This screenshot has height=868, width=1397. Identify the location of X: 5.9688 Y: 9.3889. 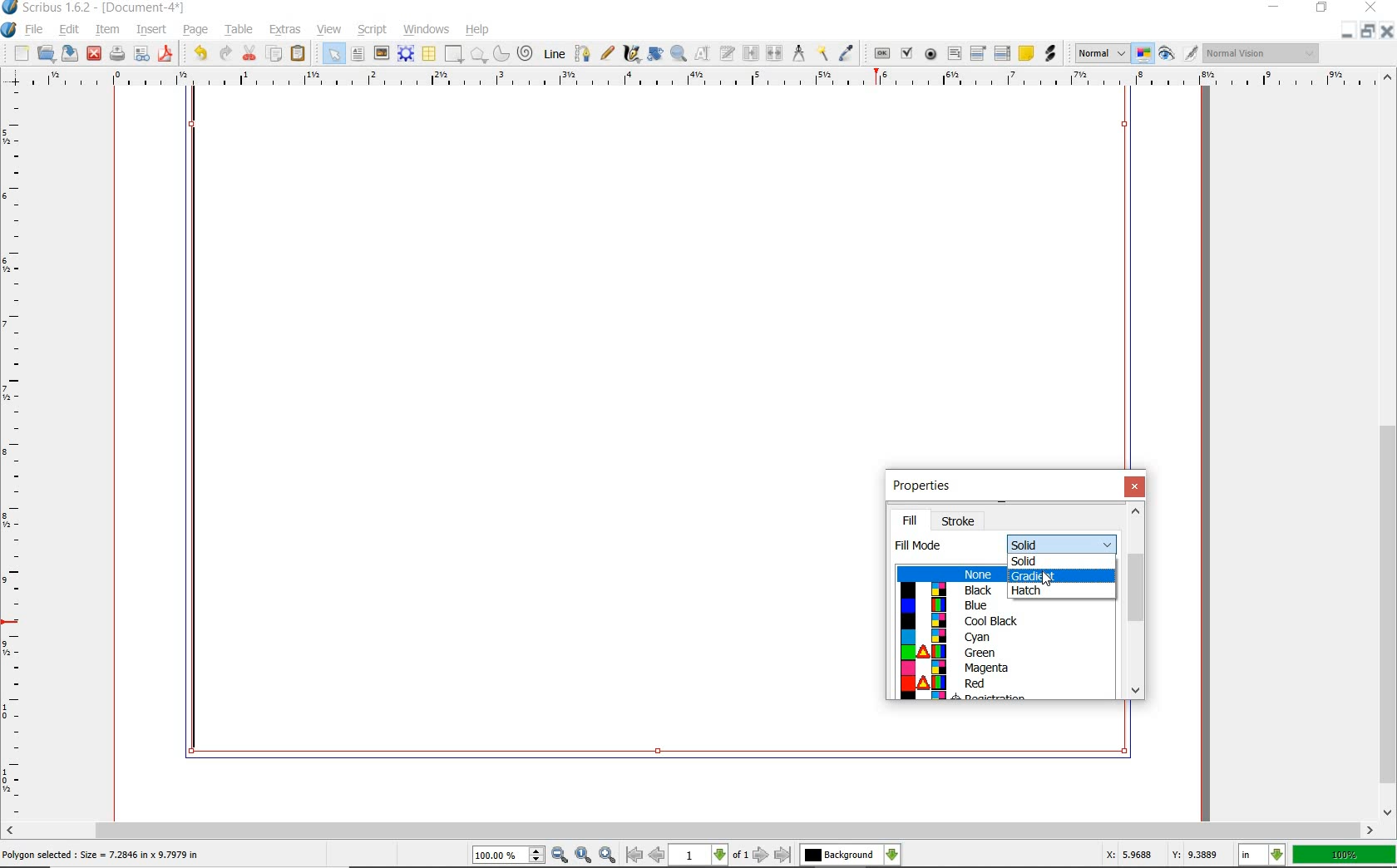
(1159, 854).